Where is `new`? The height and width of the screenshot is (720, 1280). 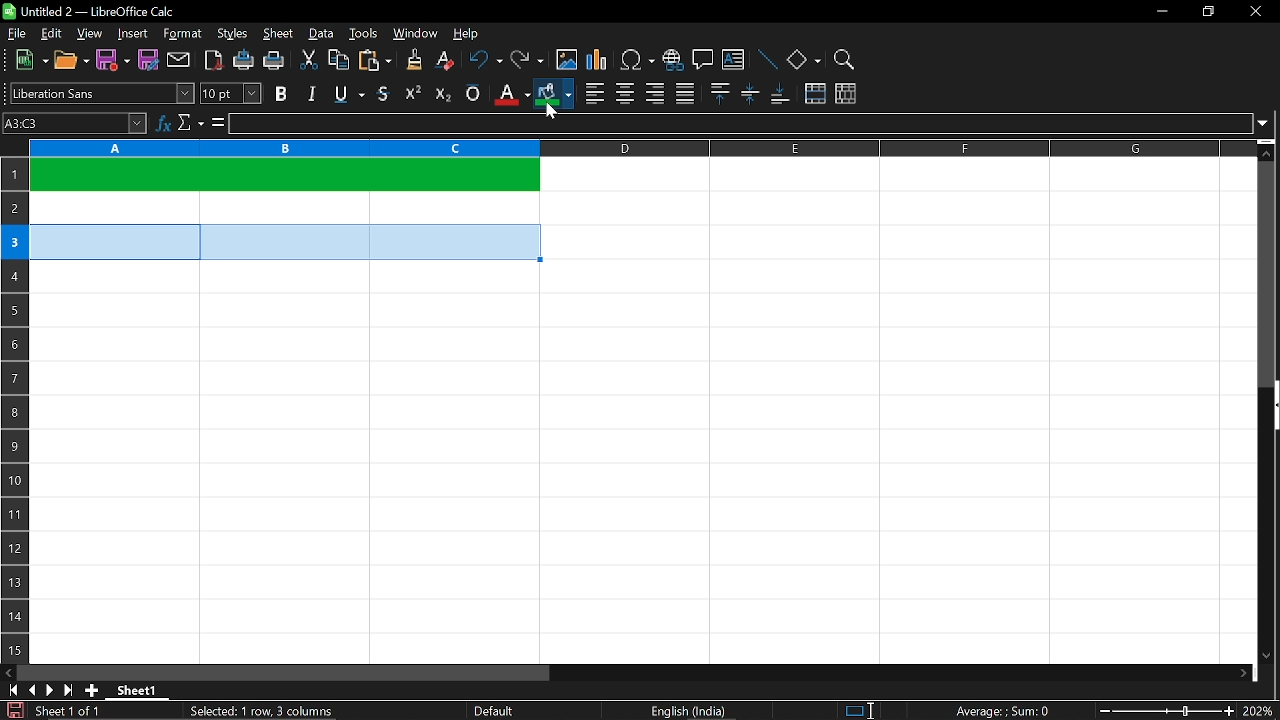 new is located at coordinates (27, 61).